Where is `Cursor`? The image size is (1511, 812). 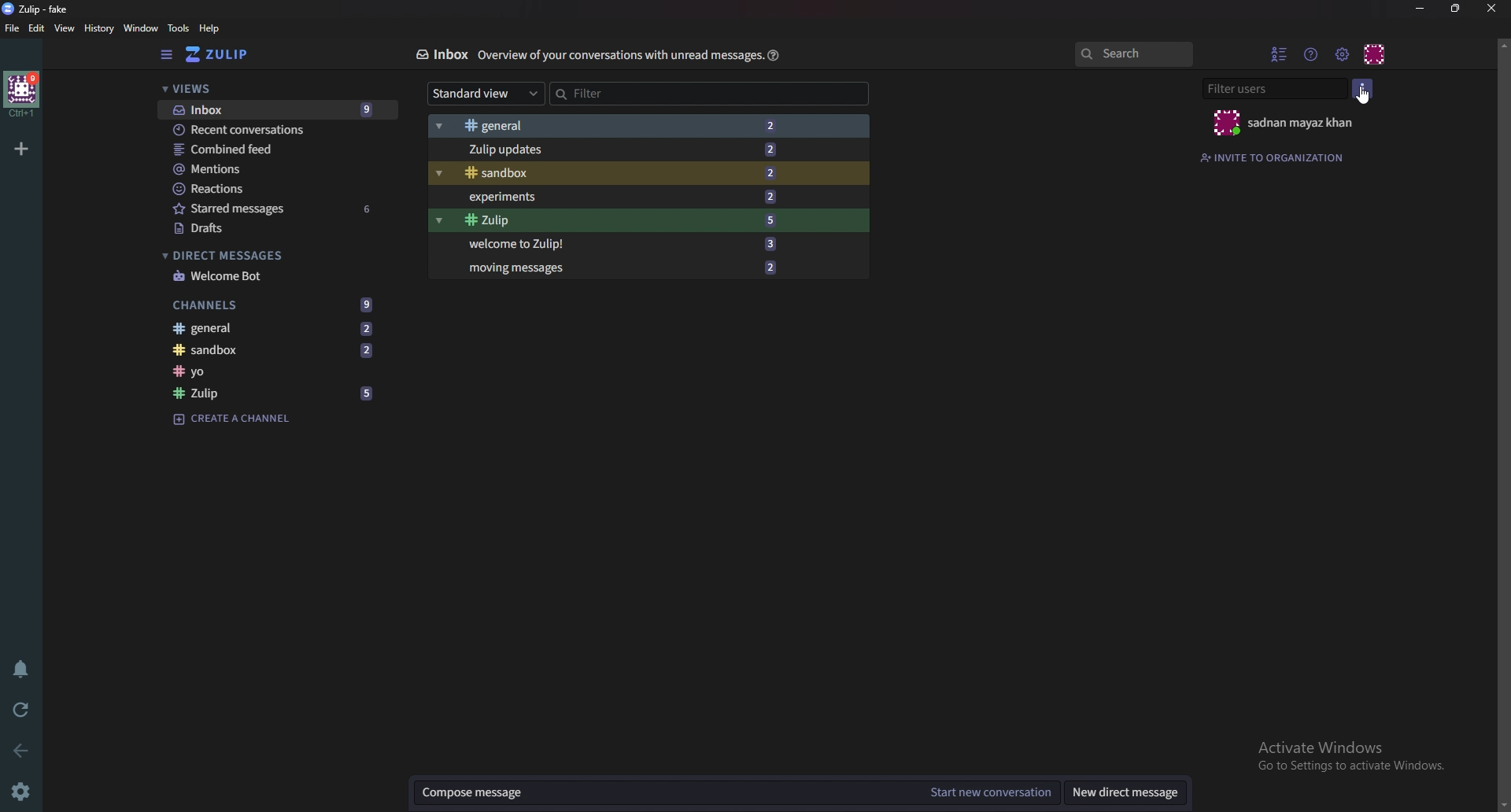
Cursor is located at coordinates (1371, 98).